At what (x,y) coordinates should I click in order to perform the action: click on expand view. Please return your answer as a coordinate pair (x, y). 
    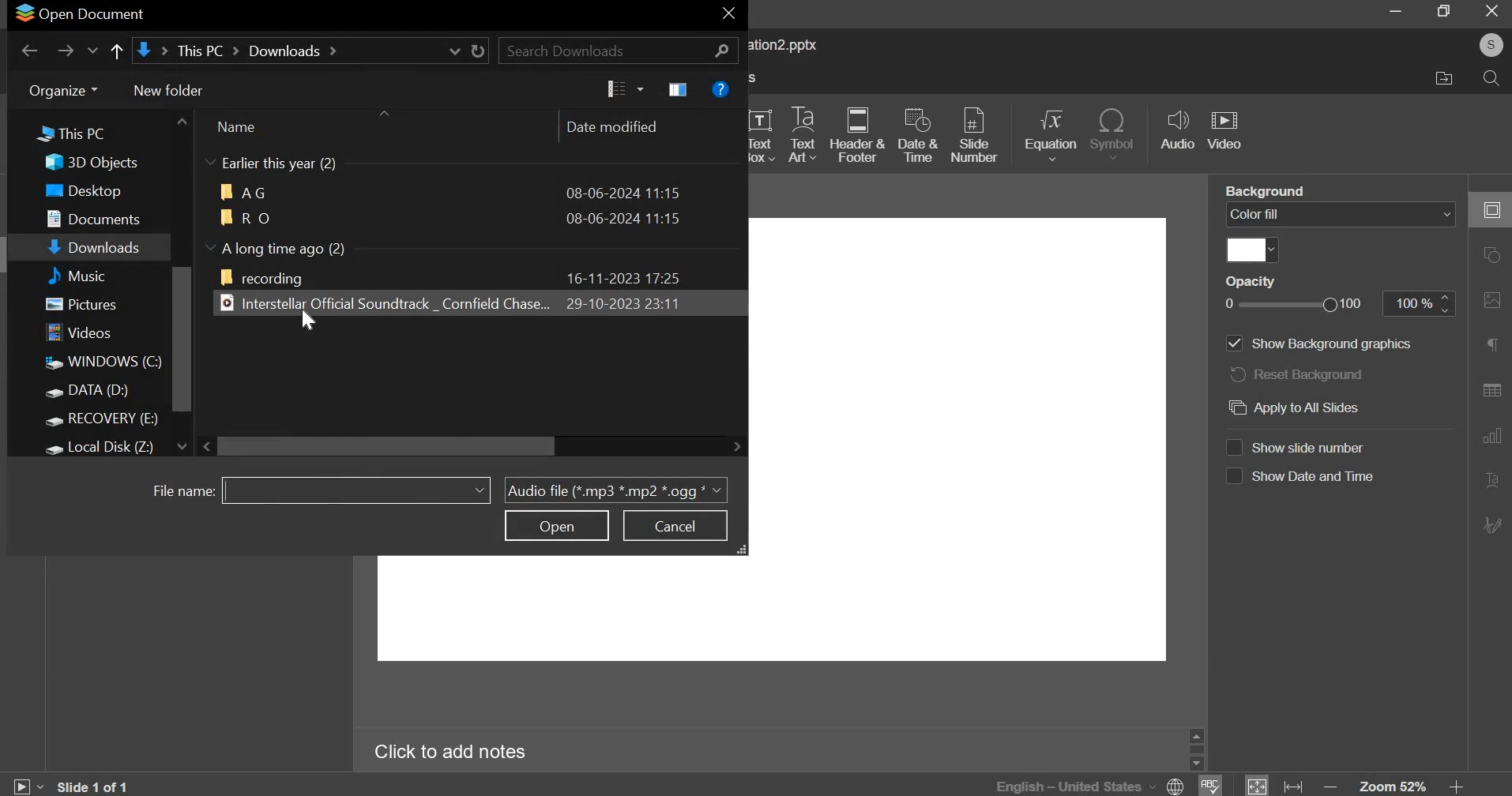
    Looking at the image, I should click on (743, 550).